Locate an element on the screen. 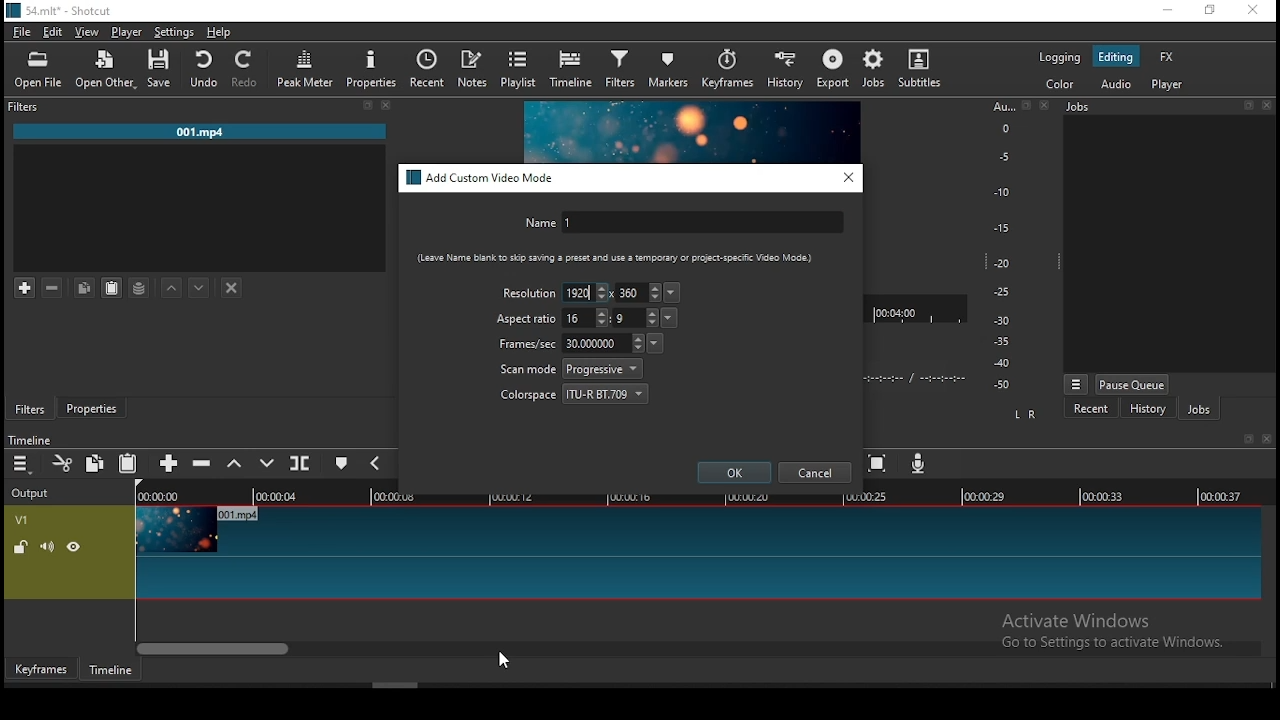 The height and width of the screenshot is (720, 1280). L R is located at coordinates (1027, 415).